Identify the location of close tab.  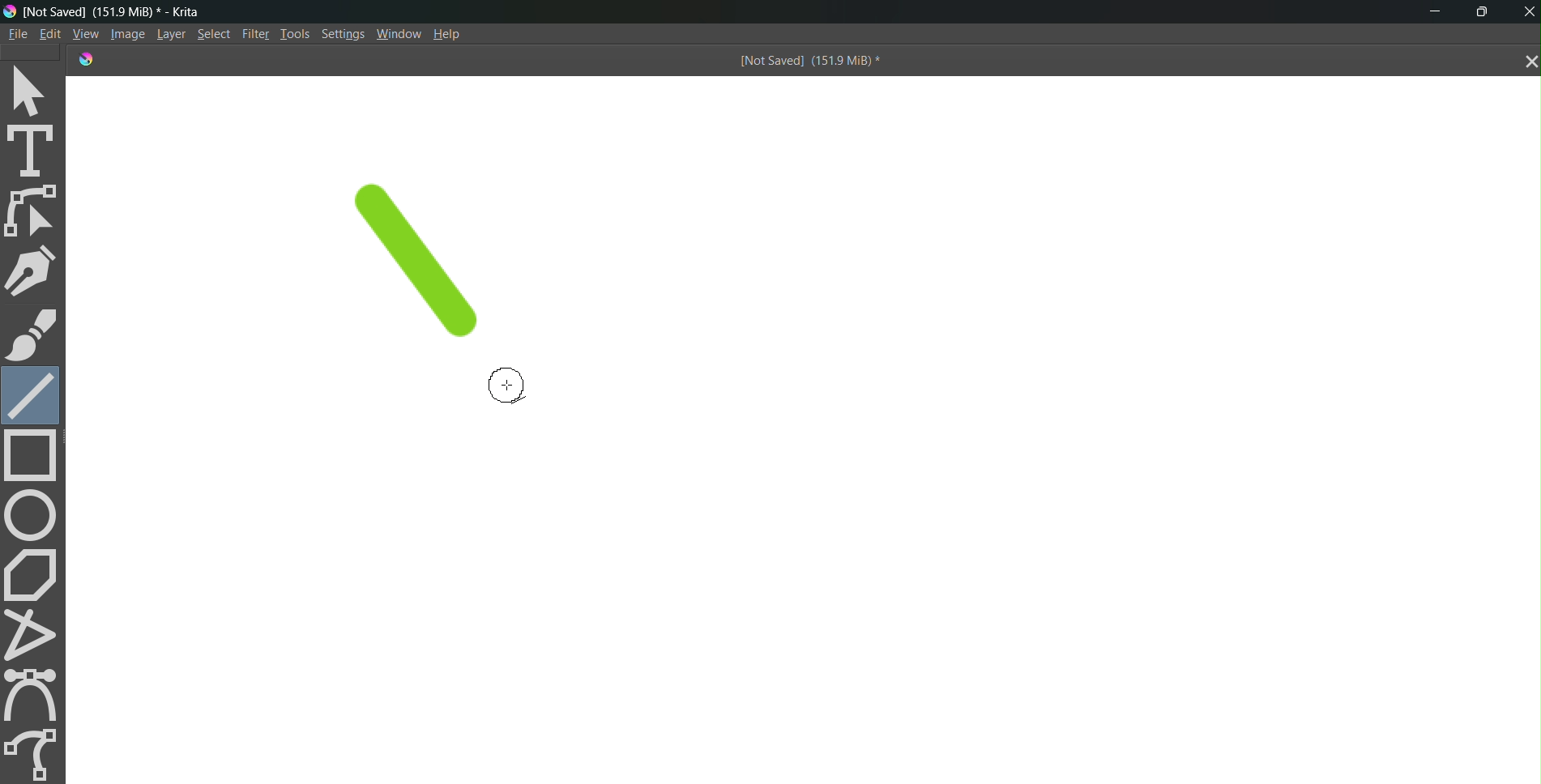
(1526, 62).